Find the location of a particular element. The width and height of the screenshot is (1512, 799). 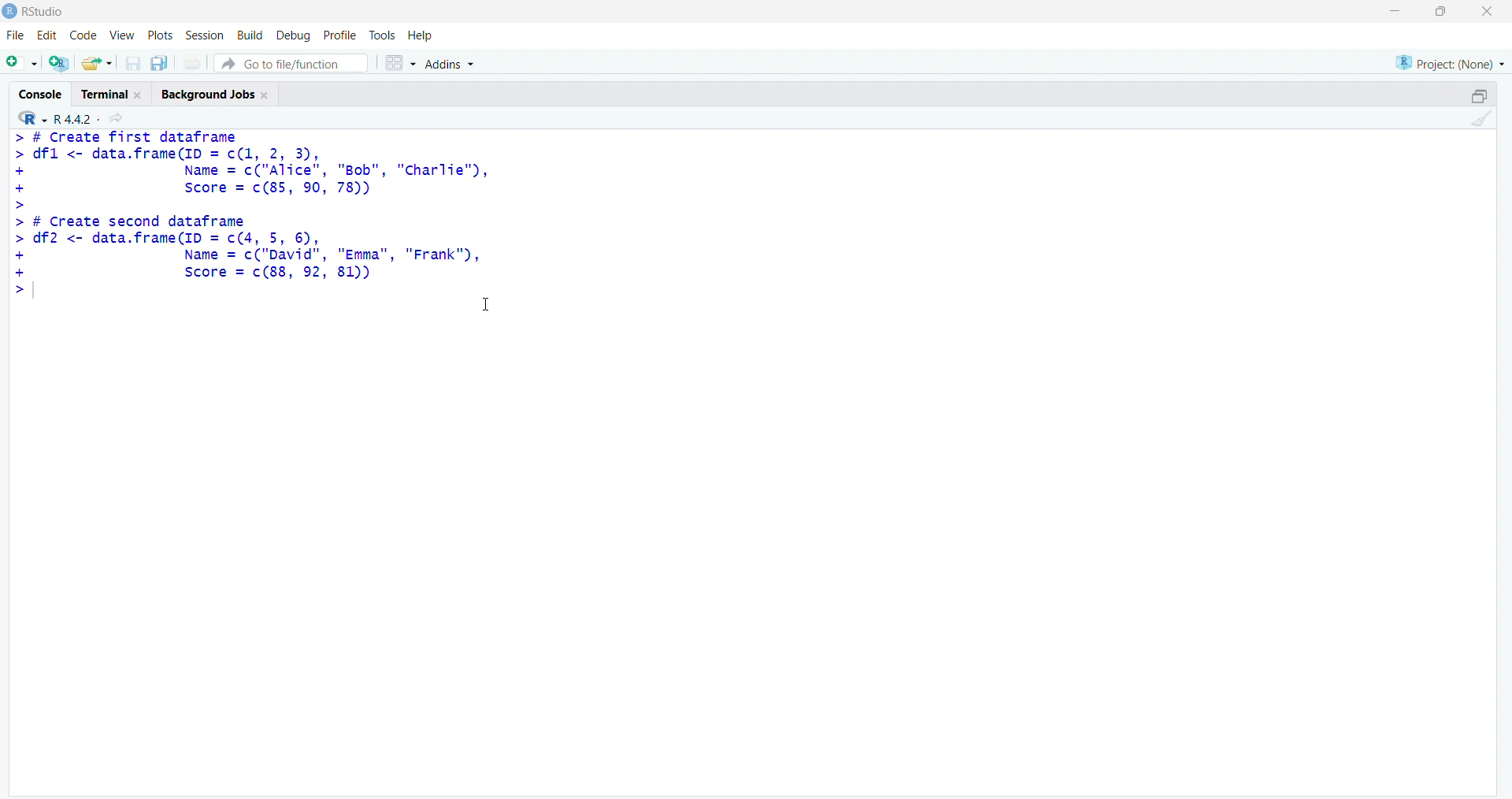

File is located at coordinates (17, 35).